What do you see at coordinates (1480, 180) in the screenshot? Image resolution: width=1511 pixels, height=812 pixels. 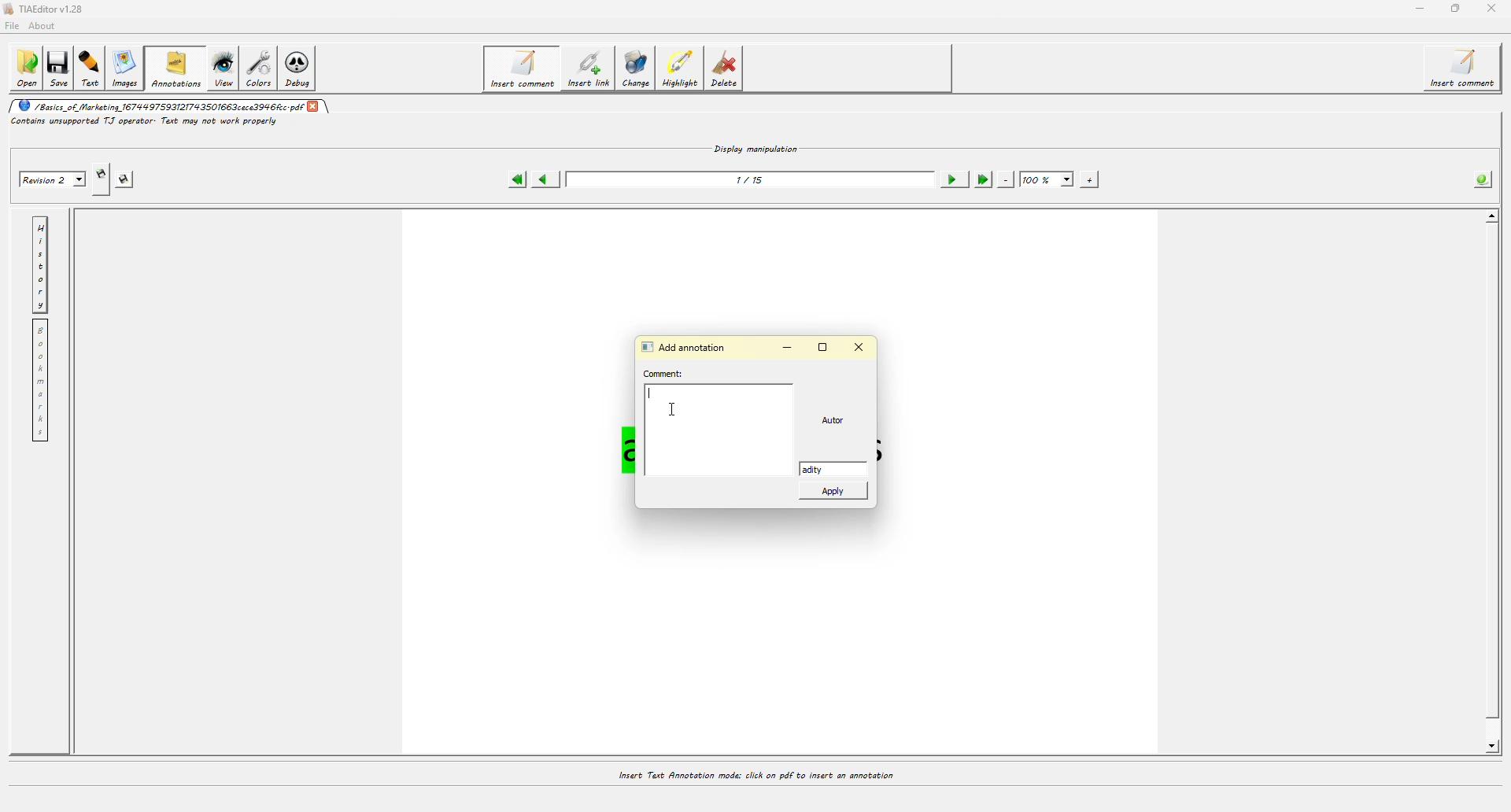 I see `info about the pdf` at bounding box center [1480, 180].